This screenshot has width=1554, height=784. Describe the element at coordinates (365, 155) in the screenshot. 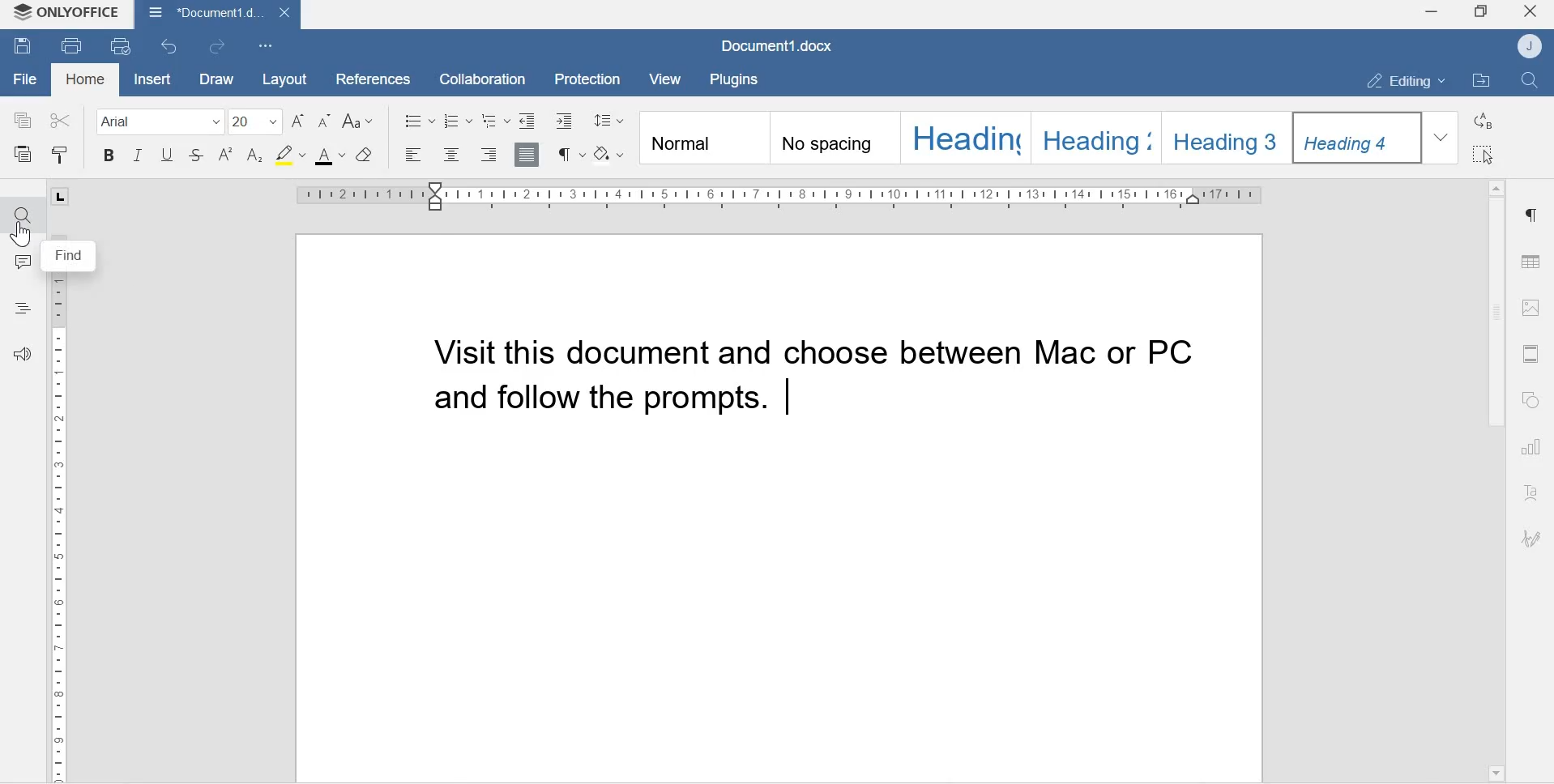

I see `Clear style` at that location.